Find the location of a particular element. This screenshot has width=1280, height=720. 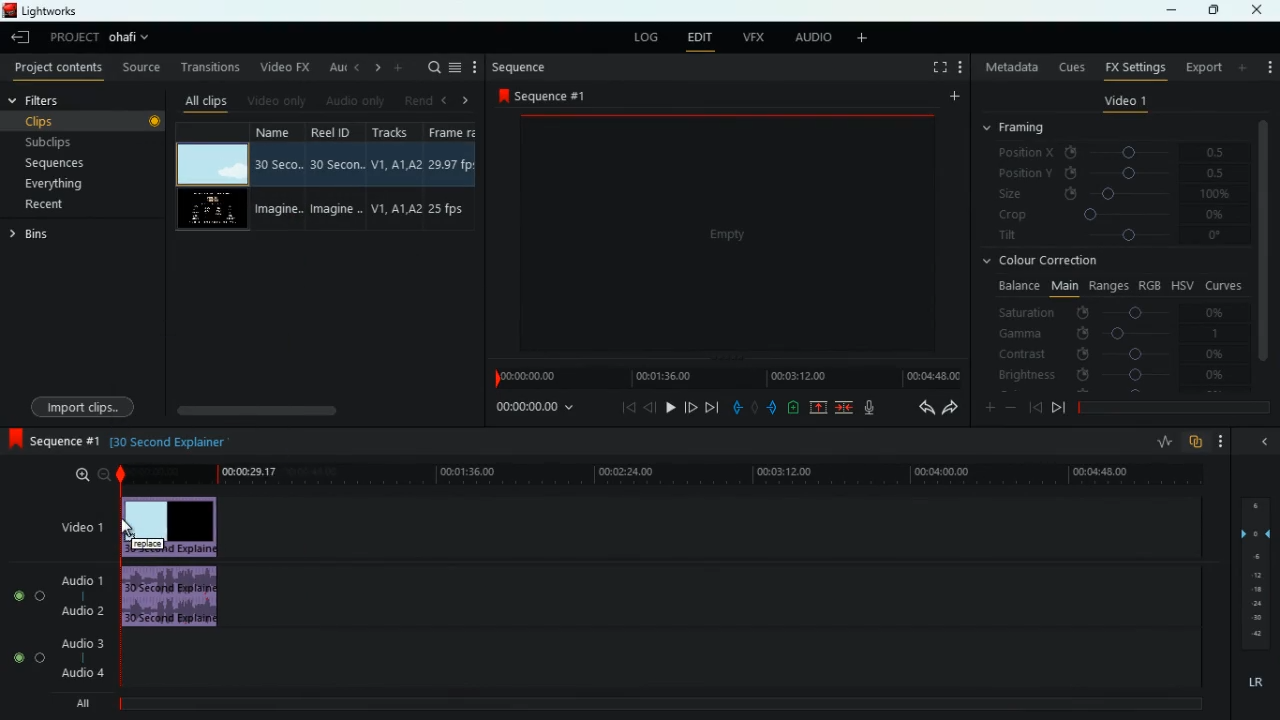

screen is located at coordinates (211, 164).